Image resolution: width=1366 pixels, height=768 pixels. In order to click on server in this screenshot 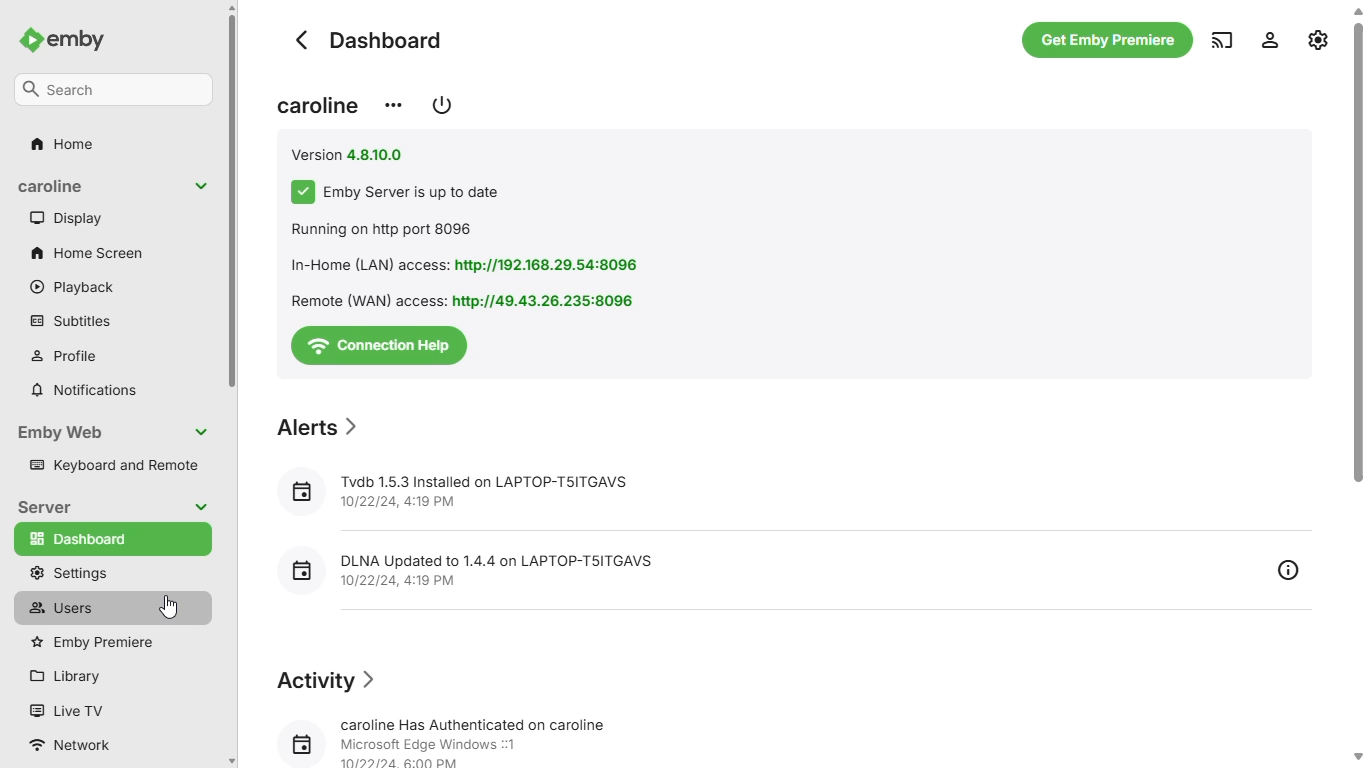, I will do `click(115, 508)`.